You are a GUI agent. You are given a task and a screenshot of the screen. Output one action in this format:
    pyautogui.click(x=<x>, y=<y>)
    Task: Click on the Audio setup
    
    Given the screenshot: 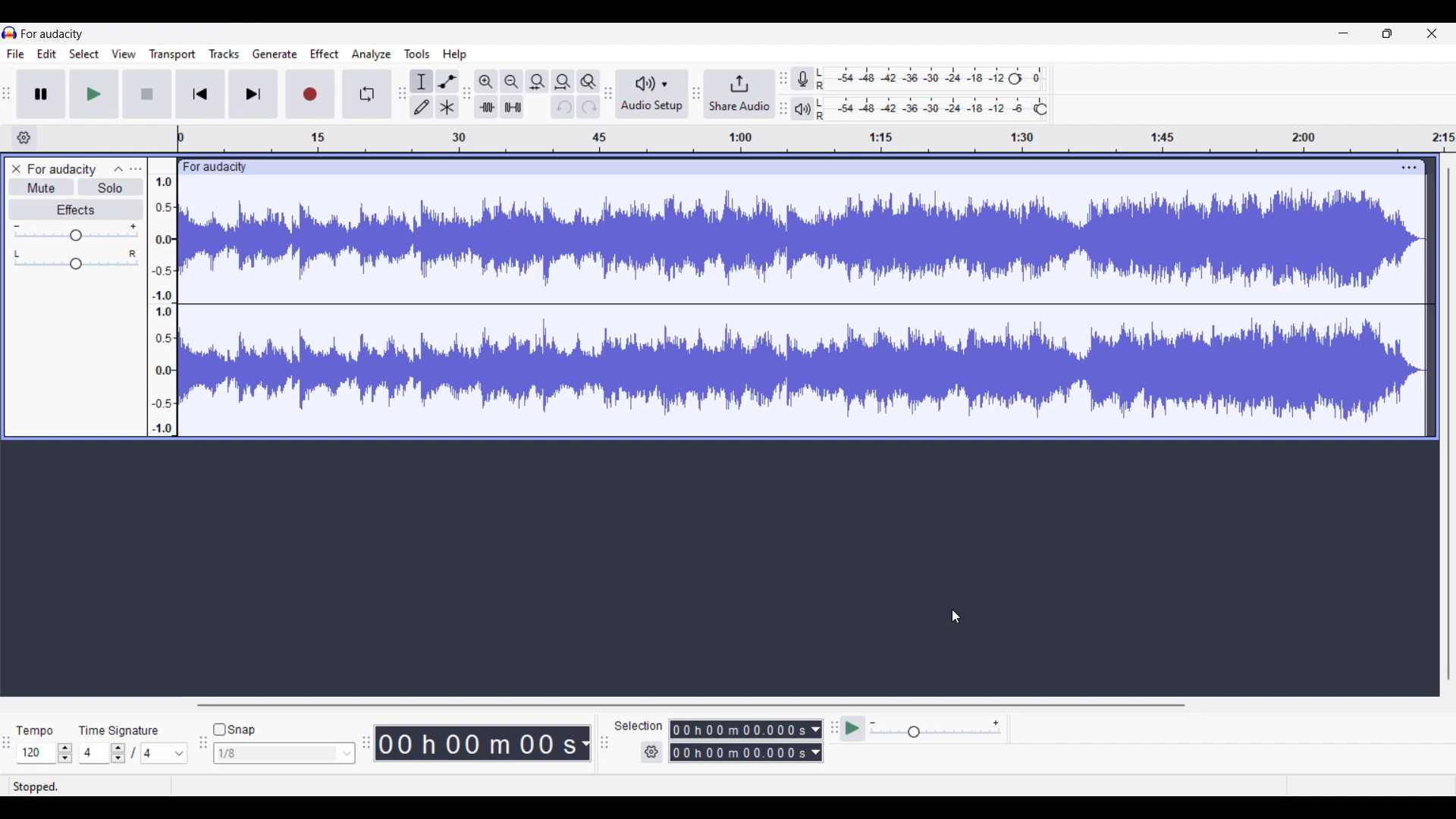 What is the action you would take?
    pyautogui.click(x=653, y=94)
    